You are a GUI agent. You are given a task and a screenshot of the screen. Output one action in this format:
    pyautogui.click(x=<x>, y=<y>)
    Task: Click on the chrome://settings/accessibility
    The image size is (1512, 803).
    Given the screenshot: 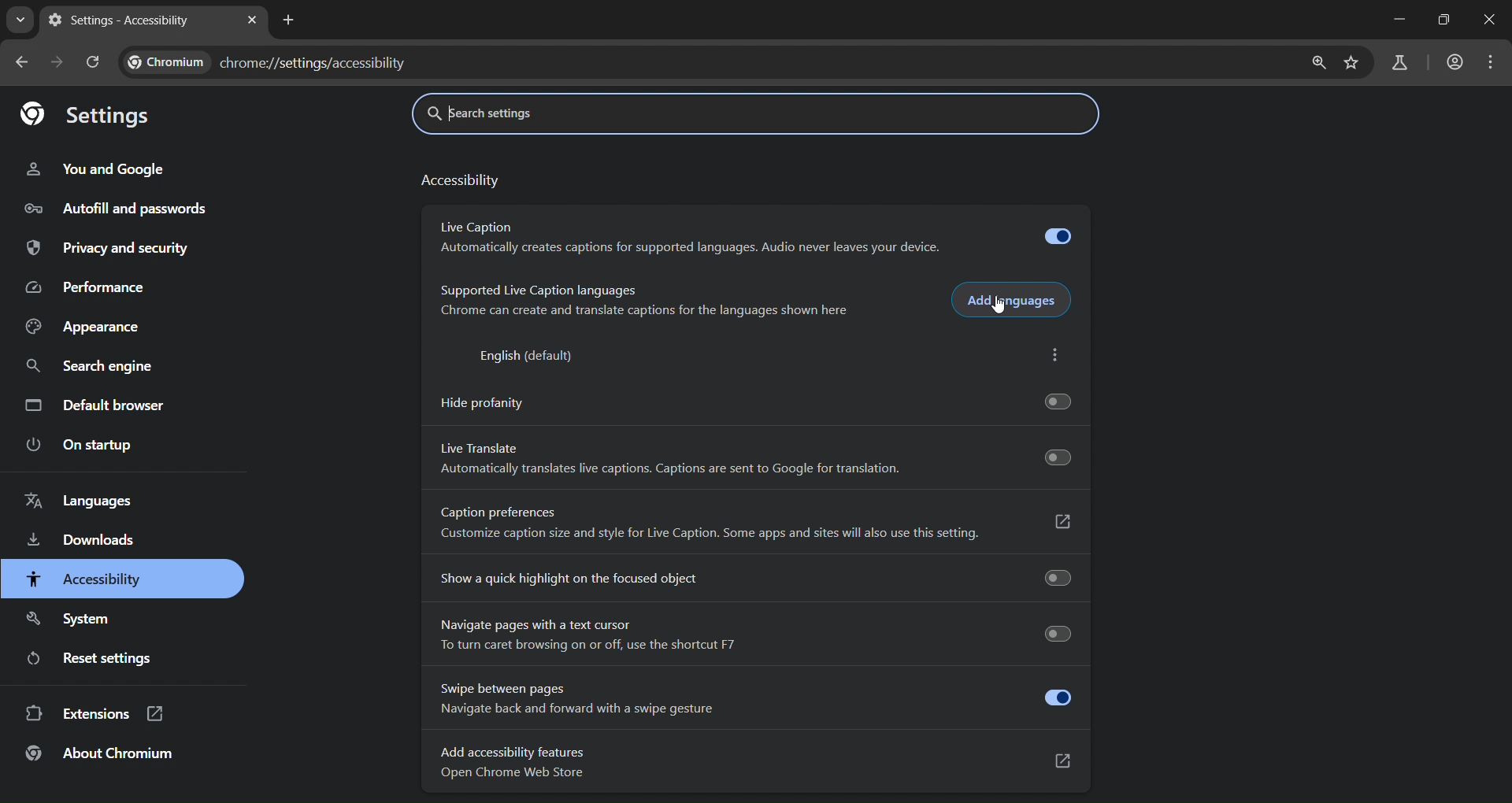 What is the action you would take?
    pyautogui.click(x=314, y=60)
    